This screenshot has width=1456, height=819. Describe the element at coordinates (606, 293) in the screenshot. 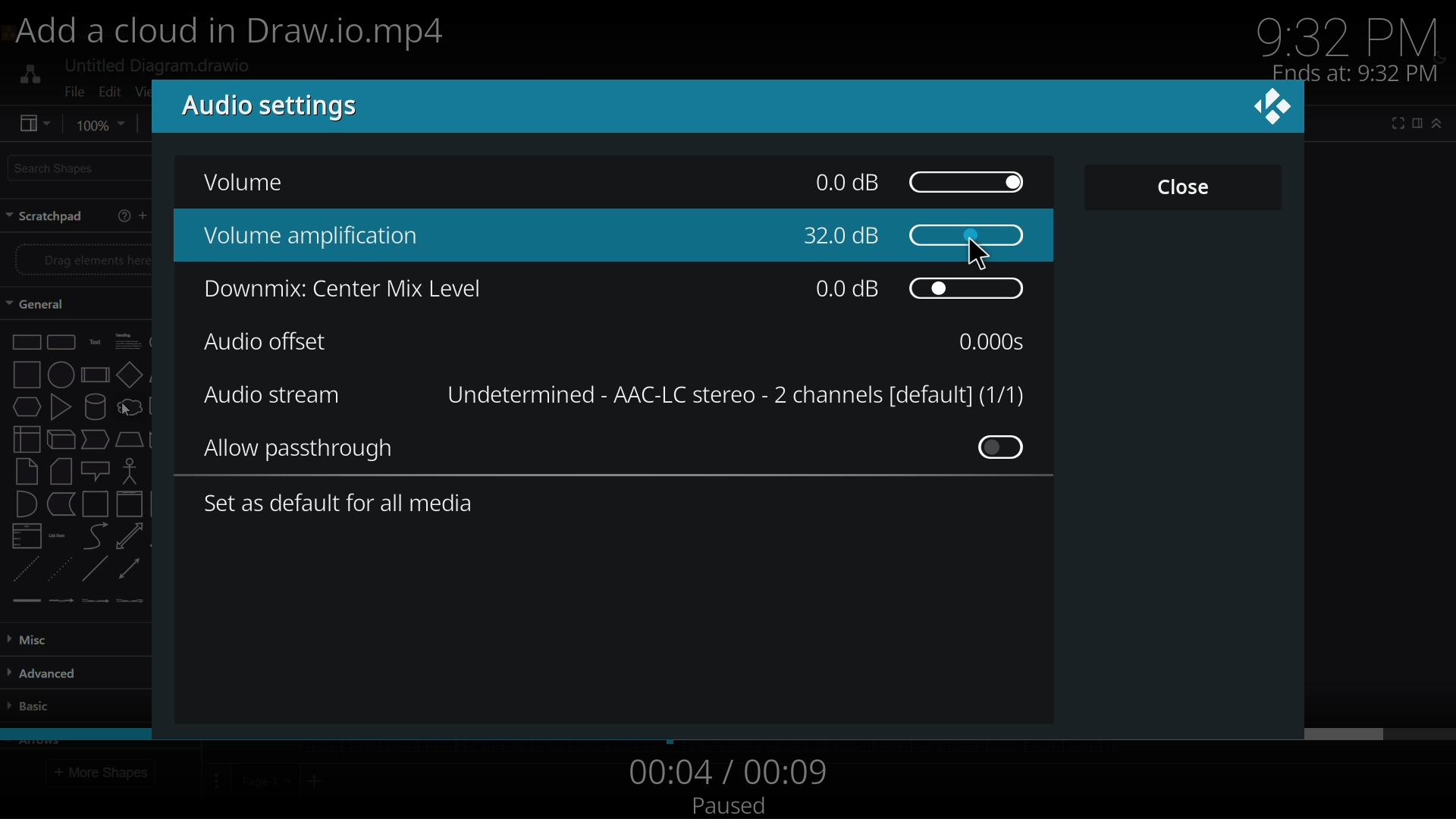

I see `Downmix: Center Mix Level 00dB ` at that location.